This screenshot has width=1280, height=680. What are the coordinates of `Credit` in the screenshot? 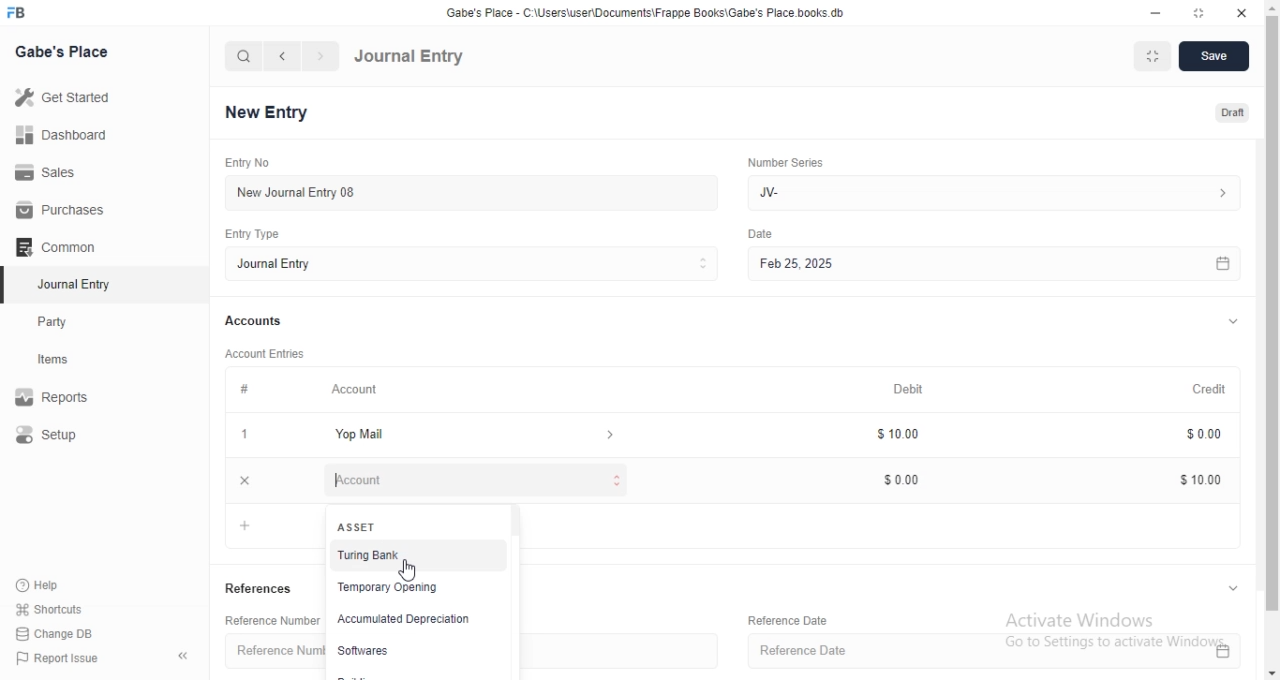 It's located at (1216, 389).